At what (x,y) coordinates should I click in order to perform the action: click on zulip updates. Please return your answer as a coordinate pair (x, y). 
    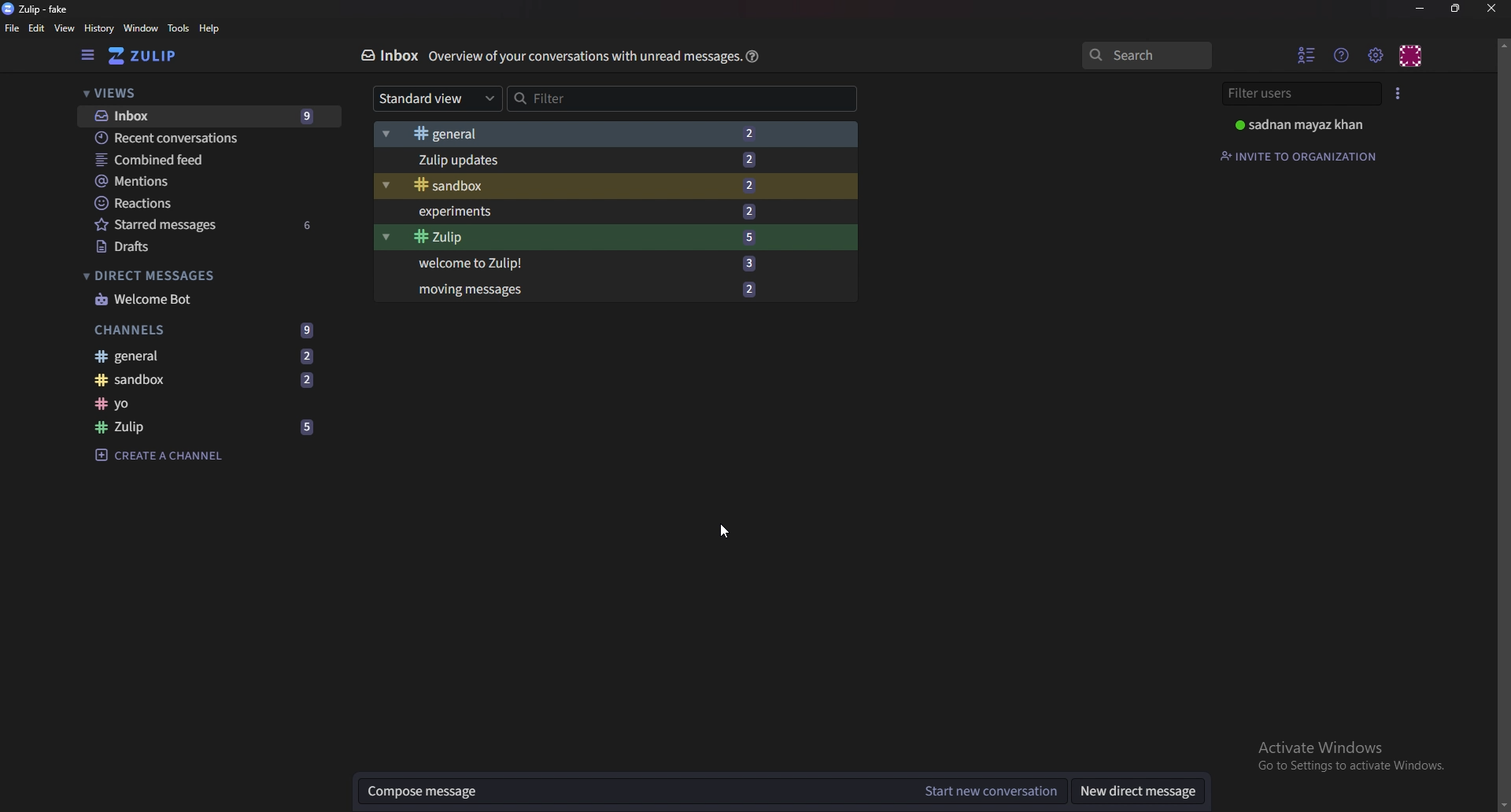
    Looking at the image, I should click on (613, 160).